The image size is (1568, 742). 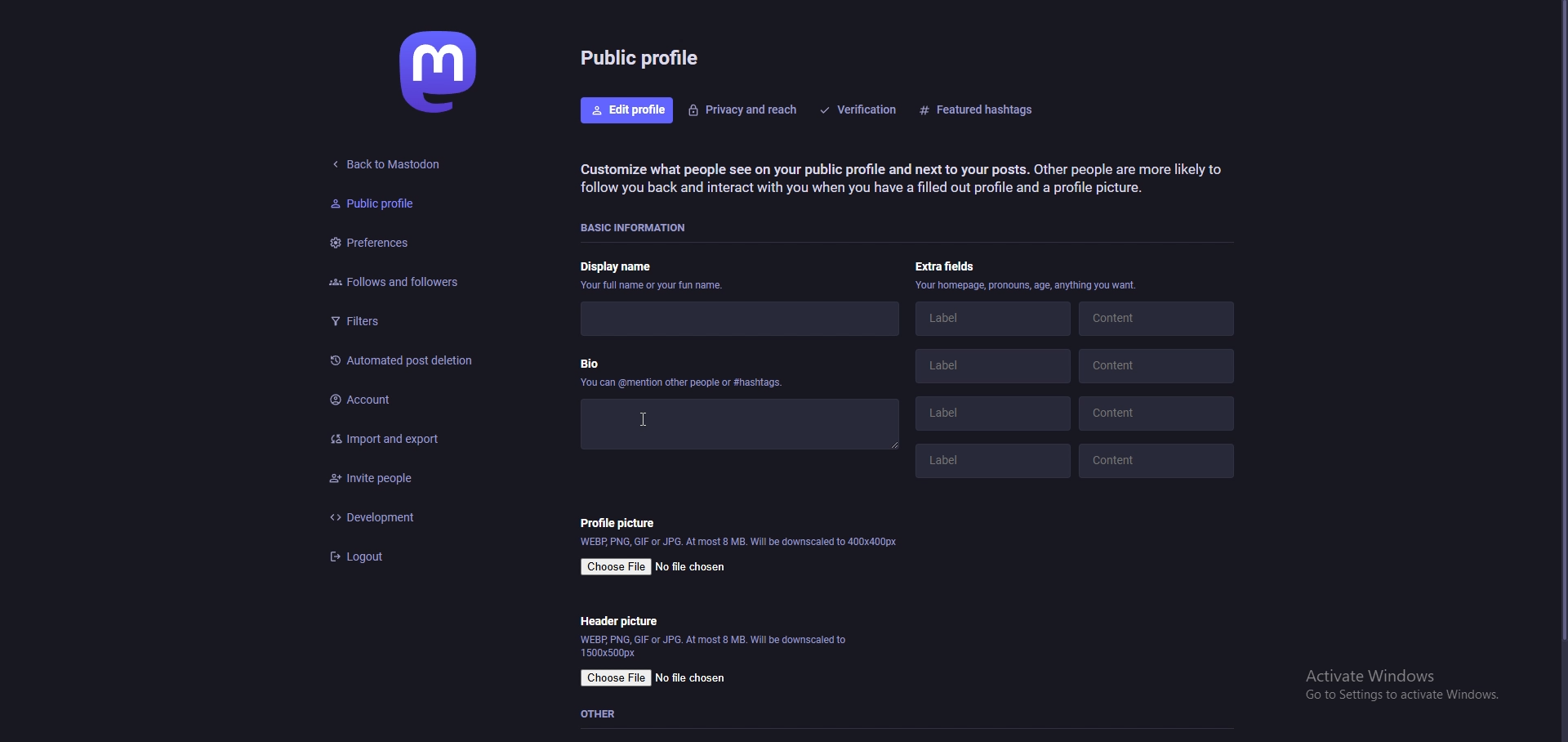 I want to click on extra fields, so click(x=947, y=265).